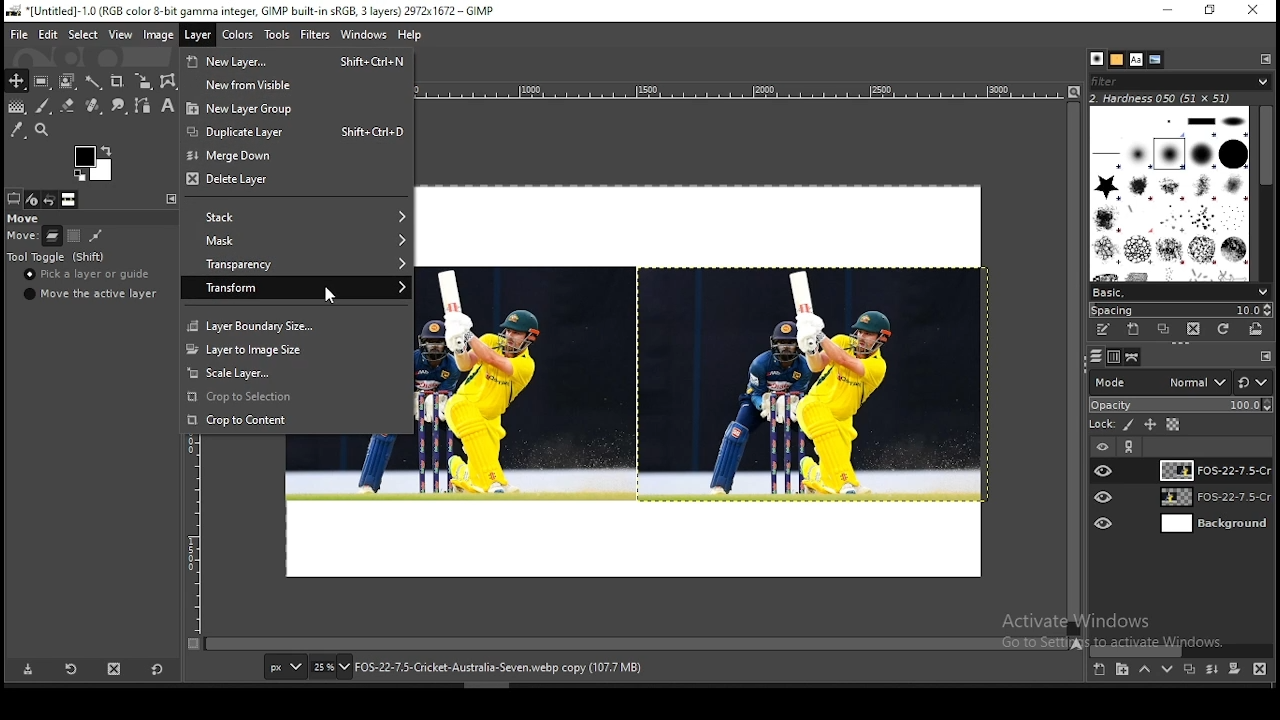  What do you see at coordinates (1098, 671) in the screenshot?
I see `new layer ` at bounding box center [1098, 671].